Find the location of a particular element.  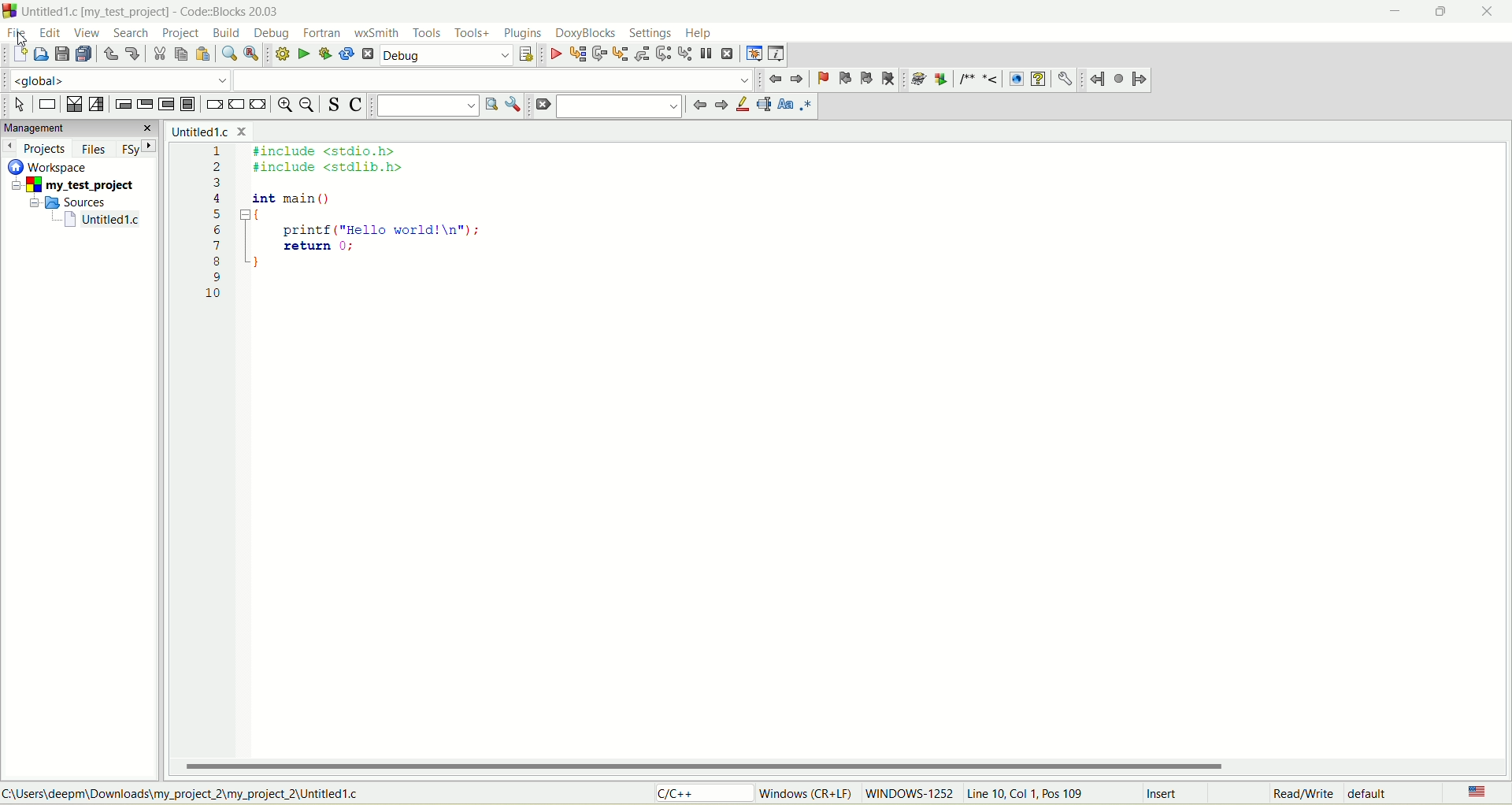

global is located at coordinates (113, 80).